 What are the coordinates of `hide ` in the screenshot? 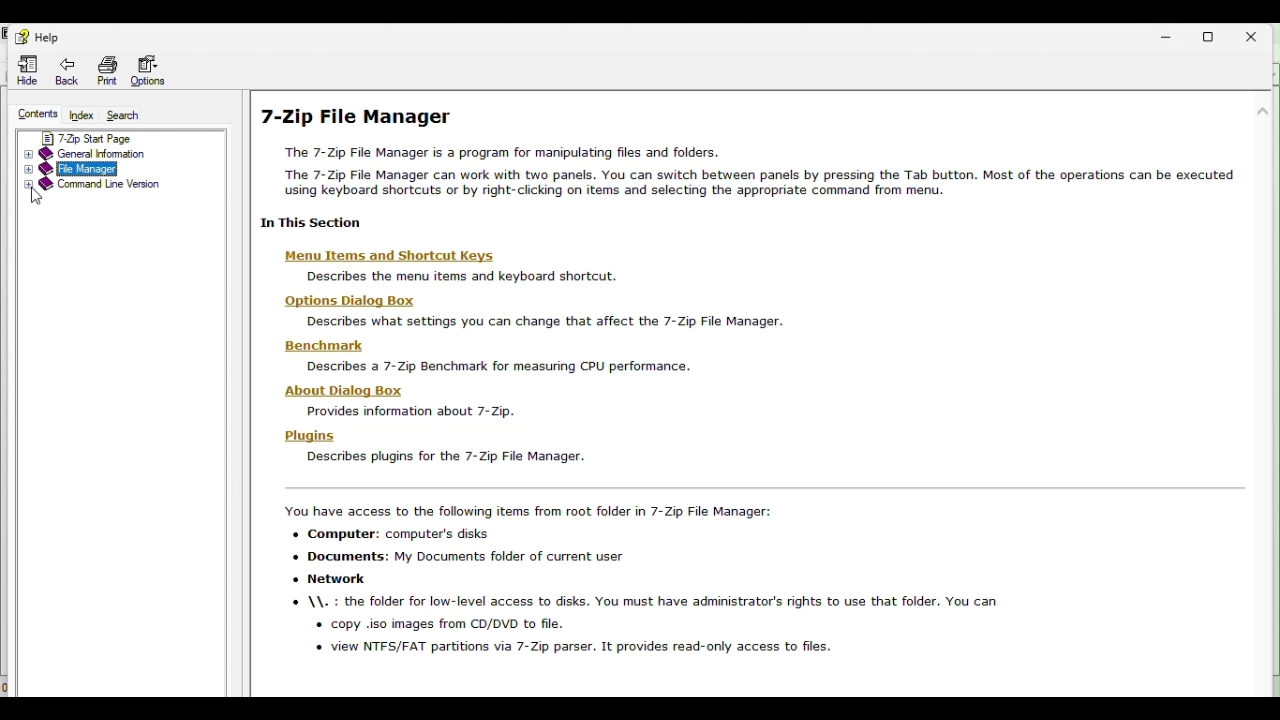 It's located at (24, 71).